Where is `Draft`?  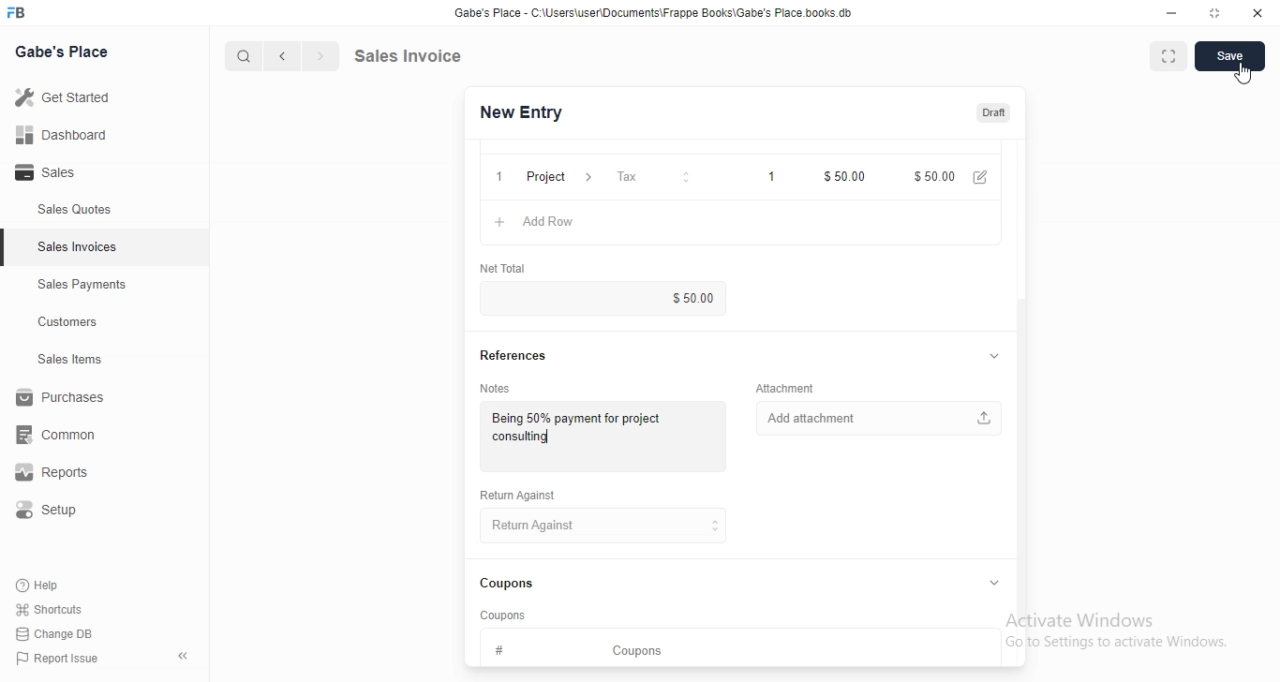
Draft is located at coordinates (995, 113).